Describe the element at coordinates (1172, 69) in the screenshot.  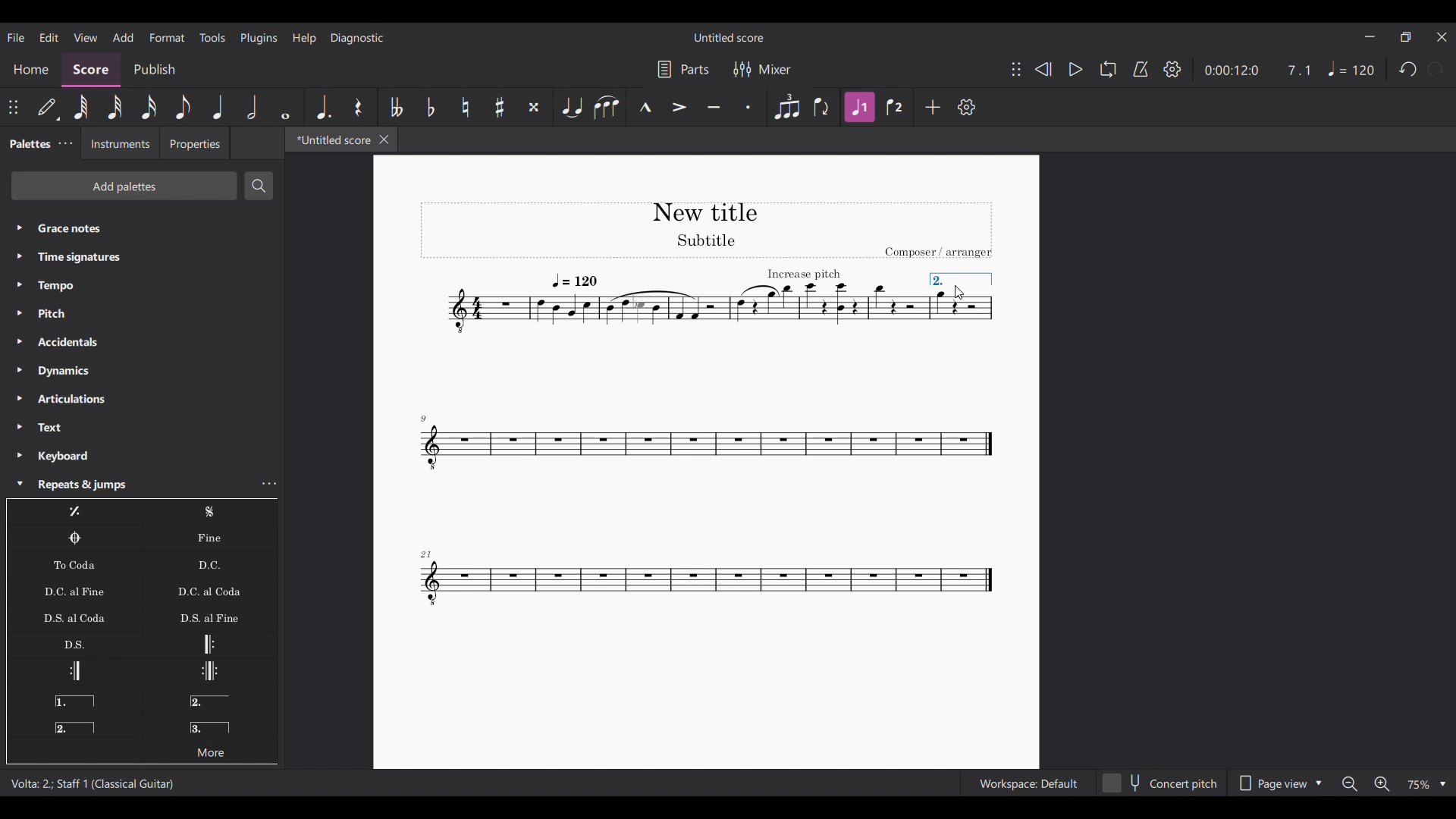
I see `Settings` at that location.